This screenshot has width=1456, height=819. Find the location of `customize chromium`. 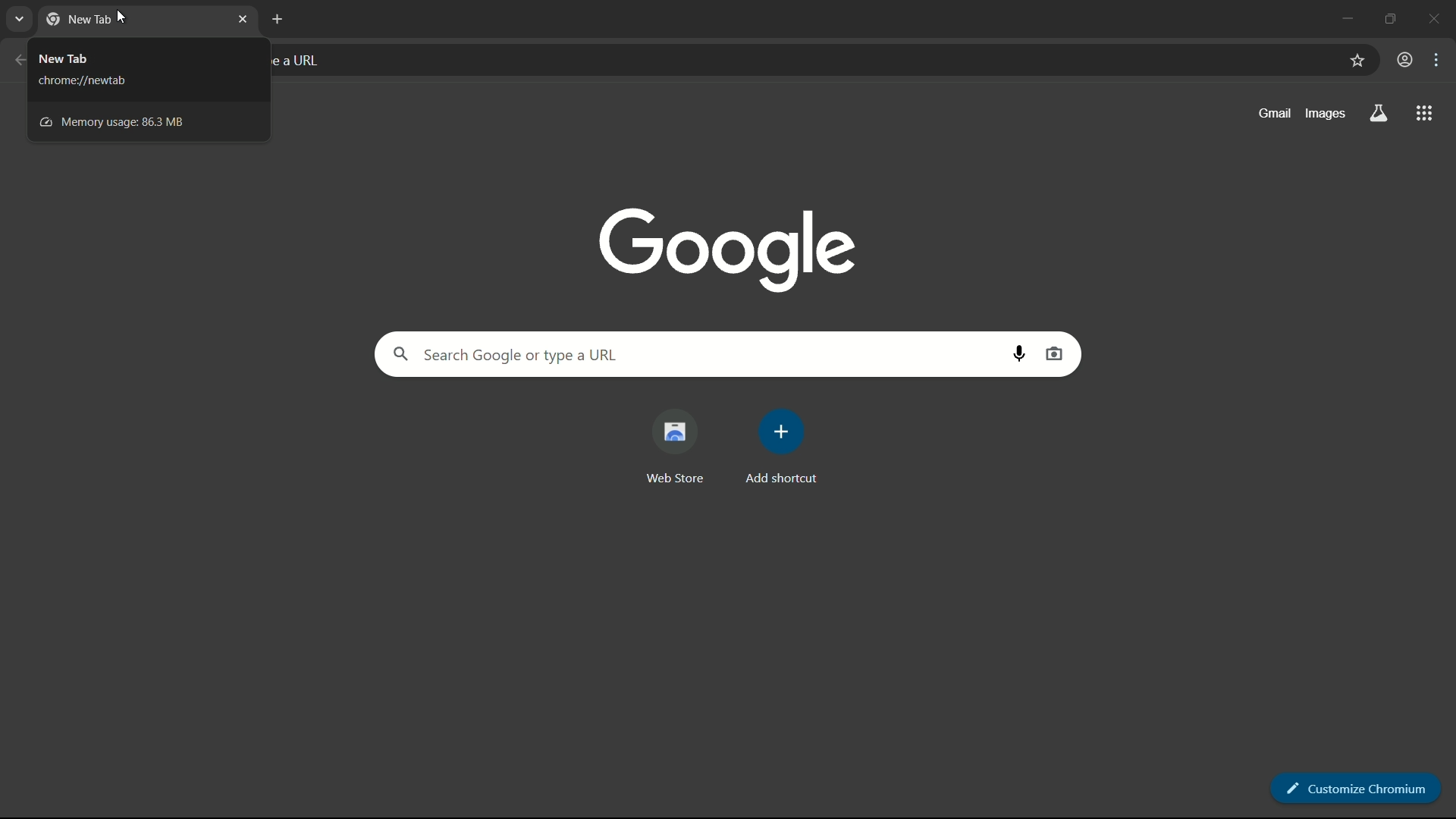

customize chromium is located at coordinates (1358, 788).